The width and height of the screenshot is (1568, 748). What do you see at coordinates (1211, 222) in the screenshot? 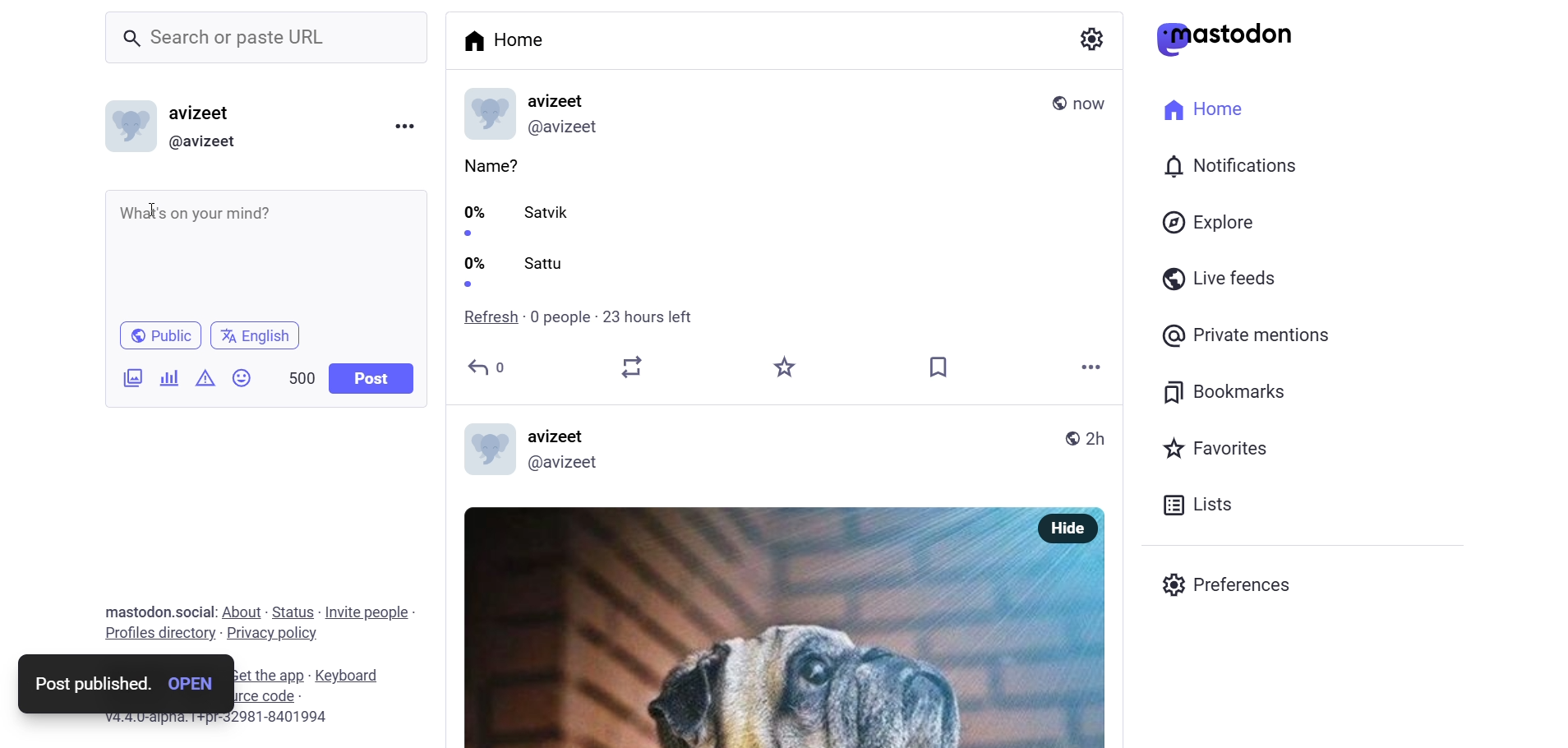
I see `explore` at bounding box center [1211, 222].